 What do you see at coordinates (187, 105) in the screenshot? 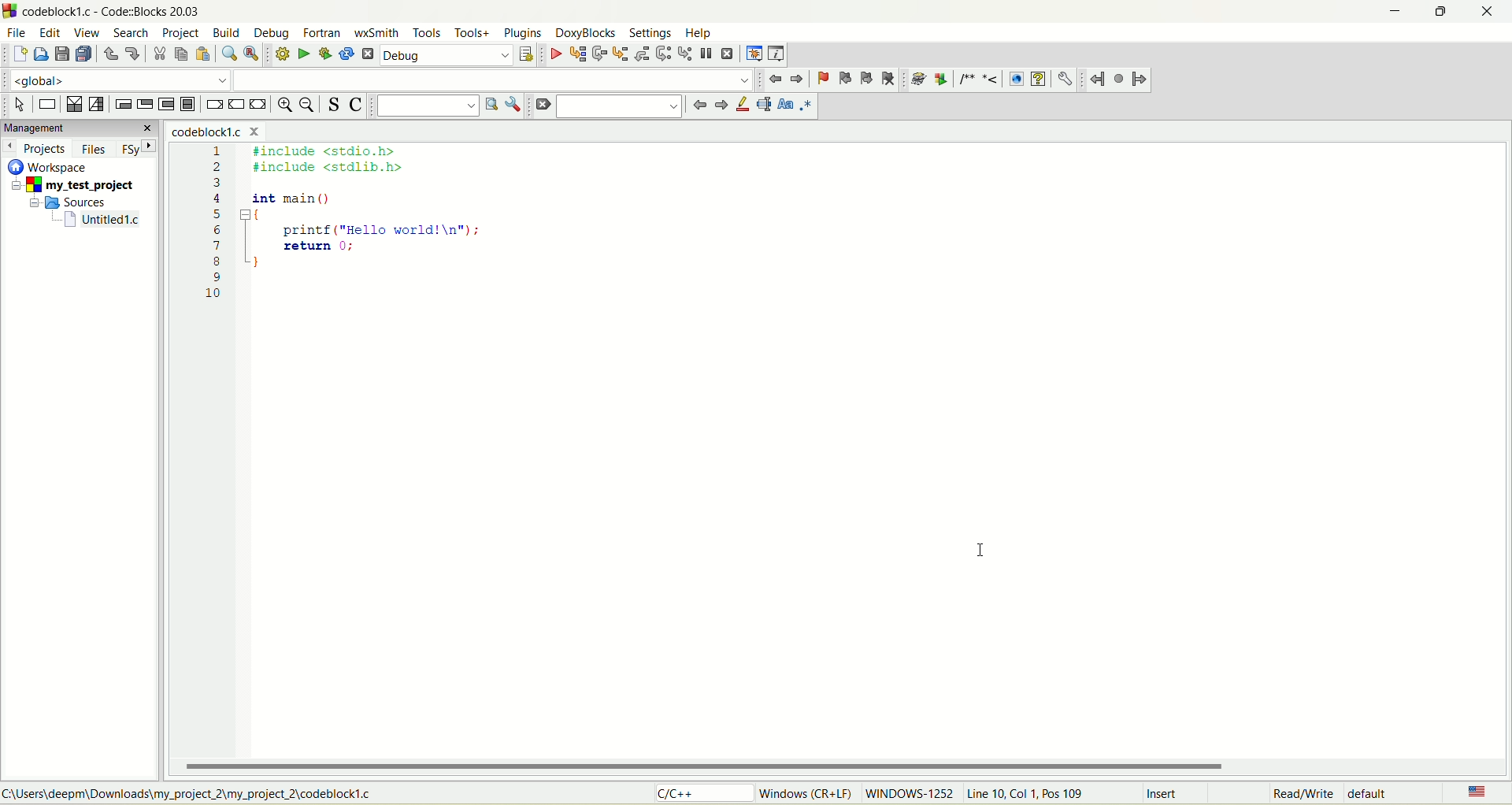
I see `block instruction` at bounding box center [187, 105].